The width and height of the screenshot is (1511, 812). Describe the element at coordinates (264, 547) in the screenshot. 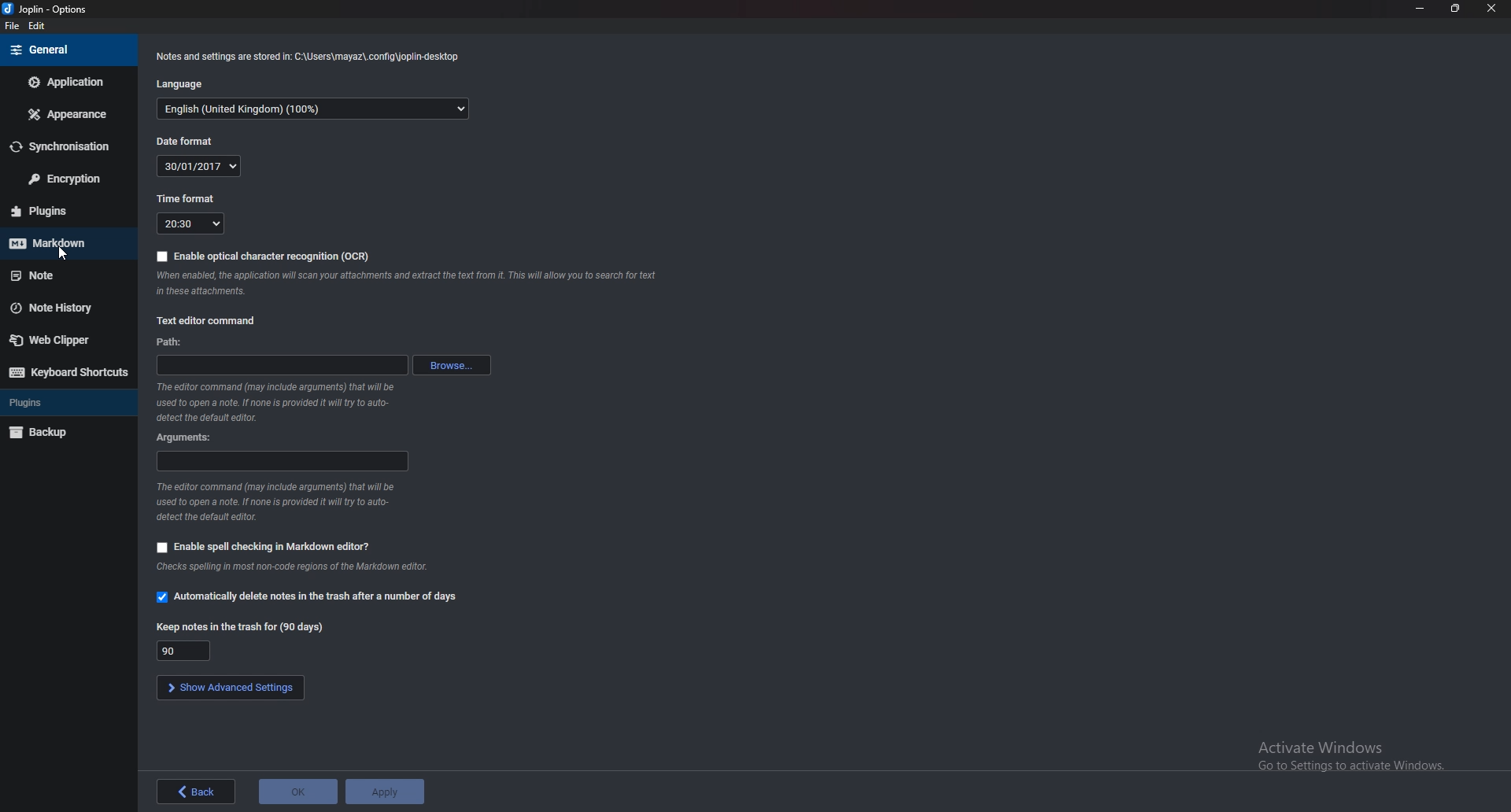

I see `Enable spell checking` at that location.